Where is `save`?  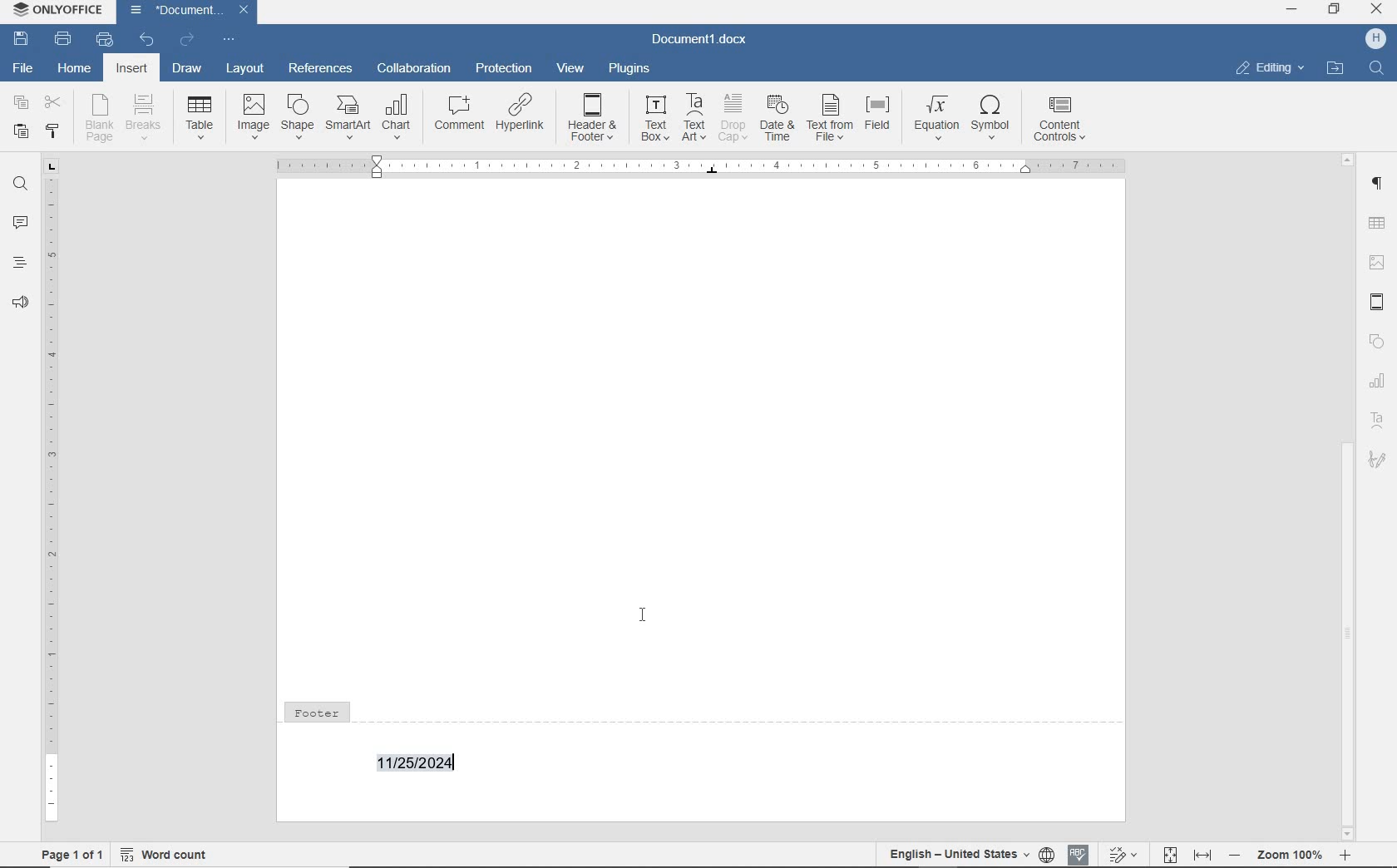 save is located at coordinates (20, 38).